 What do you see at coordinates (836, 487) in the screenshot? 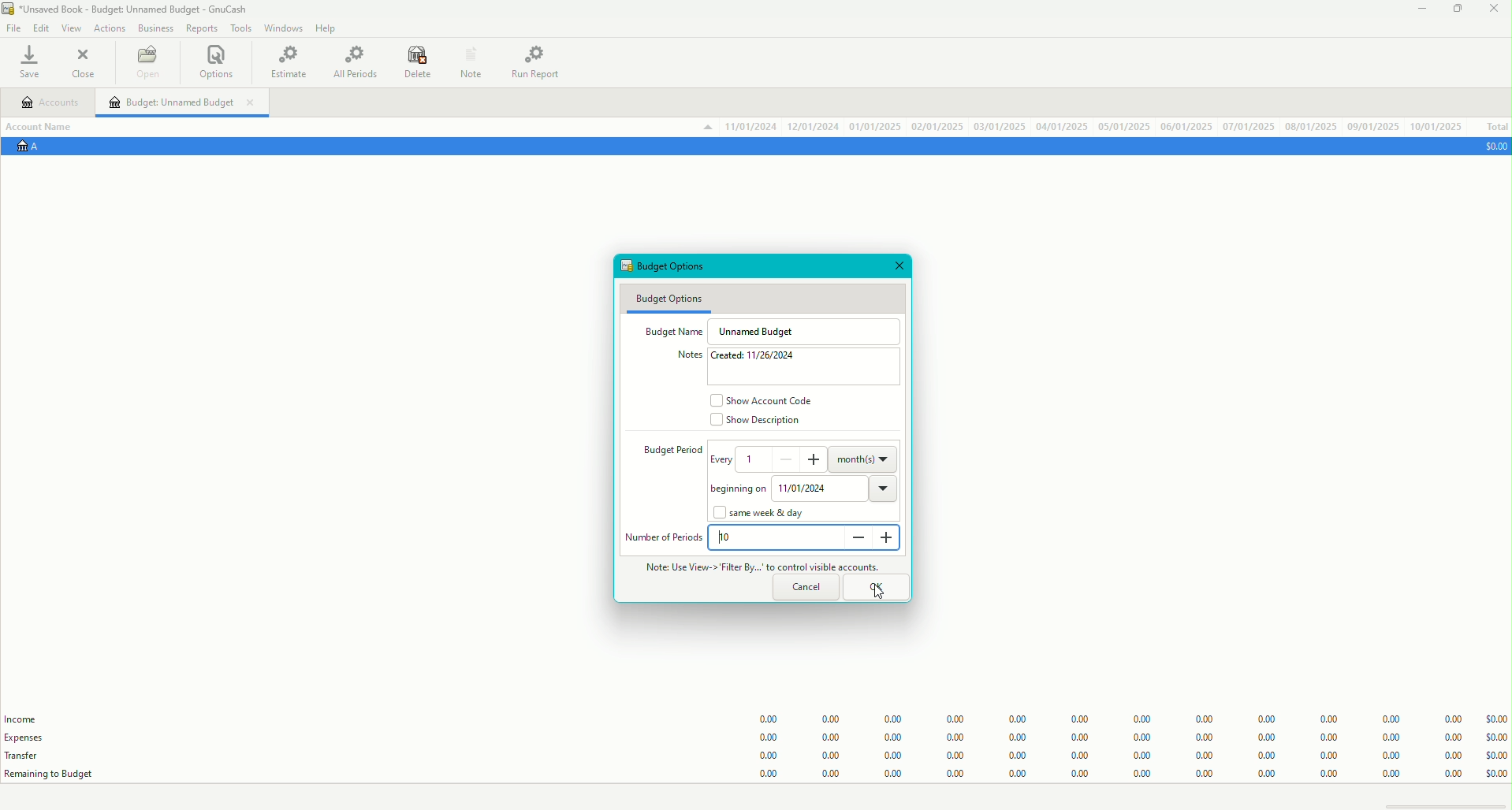
I see `11/01/2024` at bounding box center [836, 487].